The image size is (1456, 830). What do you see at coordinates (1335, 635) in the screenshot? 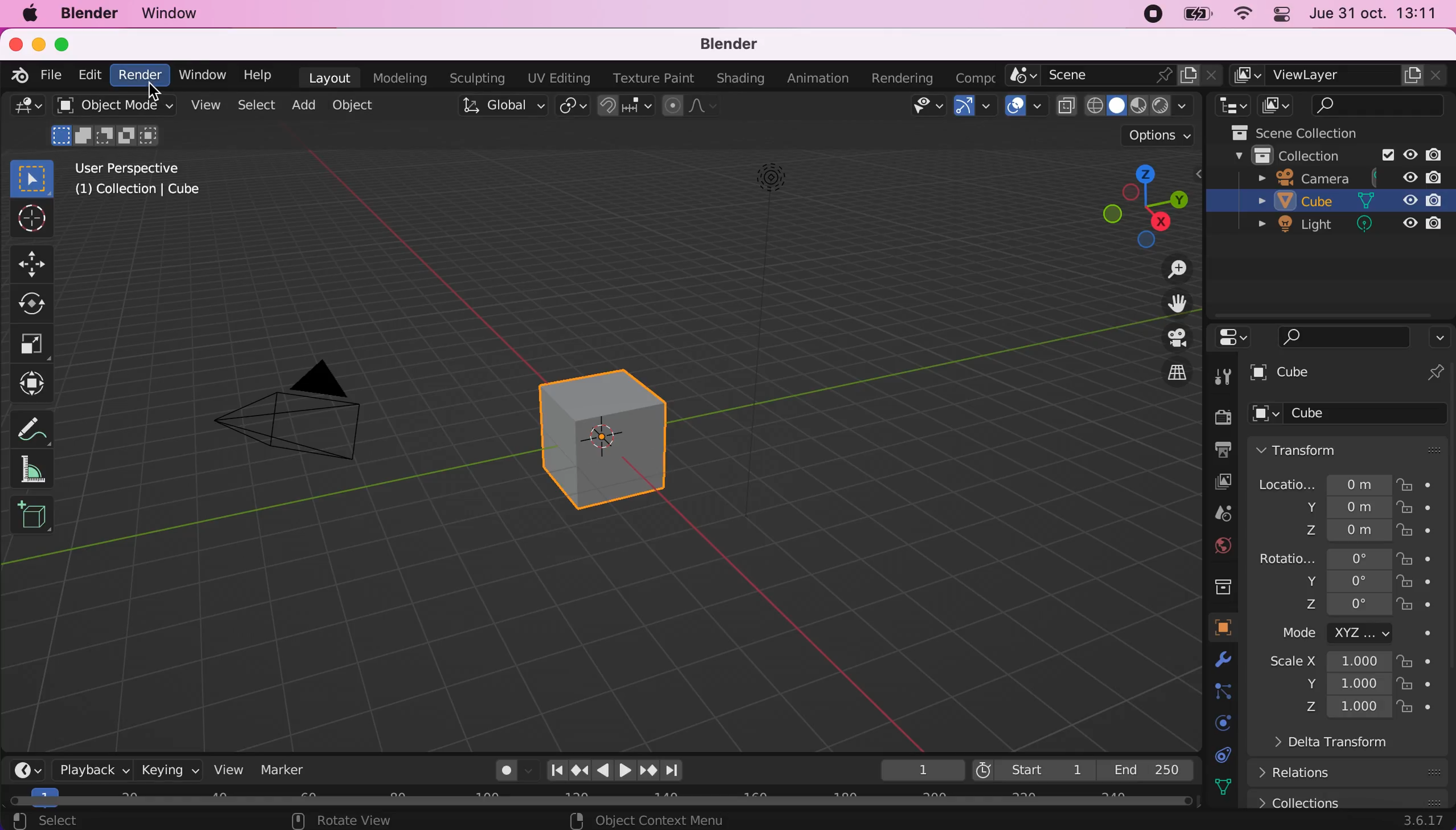
I see `mode` at bounding box center [1335, 635].